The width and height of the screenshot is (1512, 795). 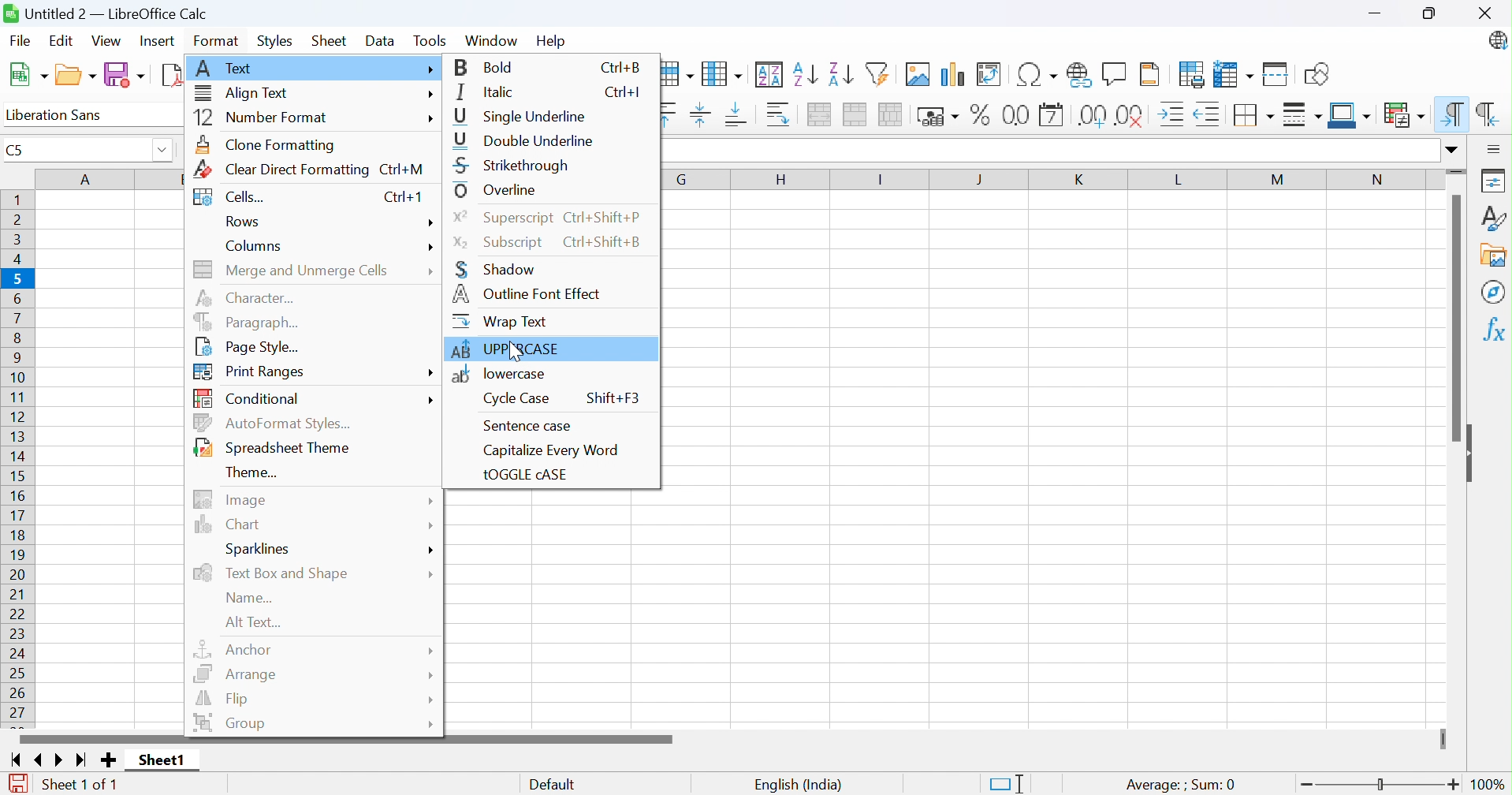 I want to click on Show draw functions, so click(x=1316, y=73).